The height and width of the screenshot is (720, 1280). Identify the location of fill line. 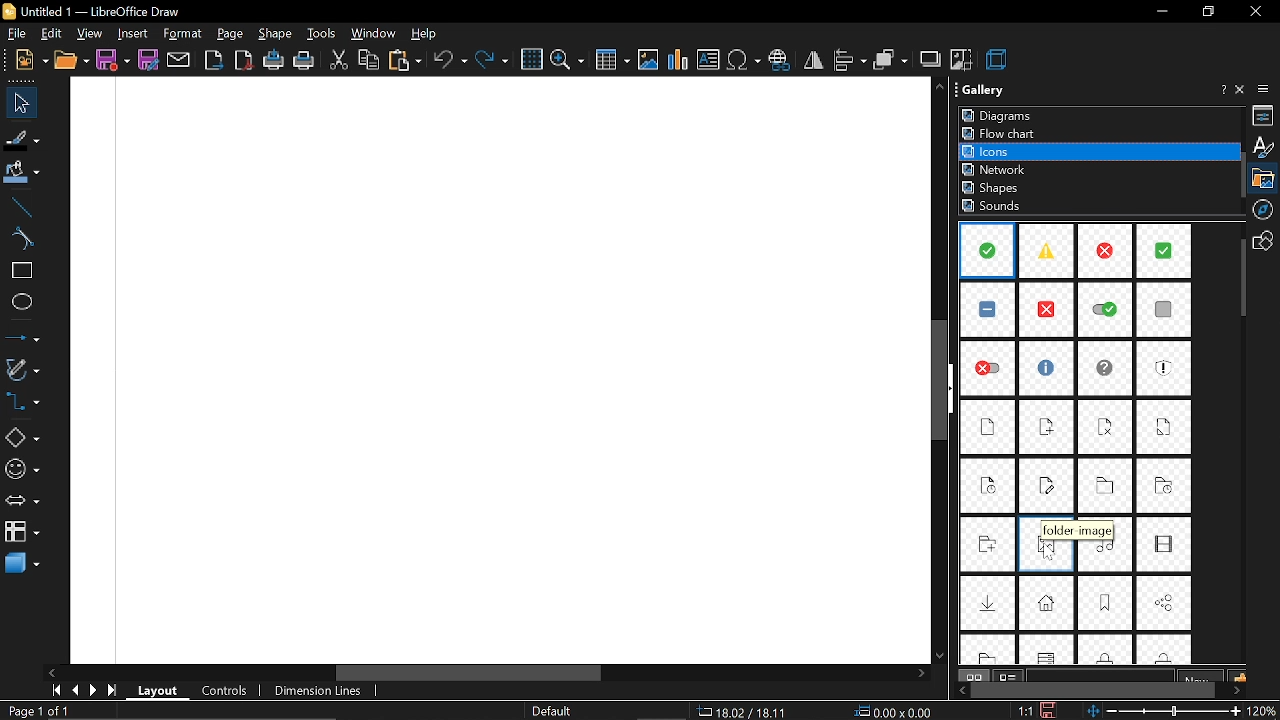
(20, 137).